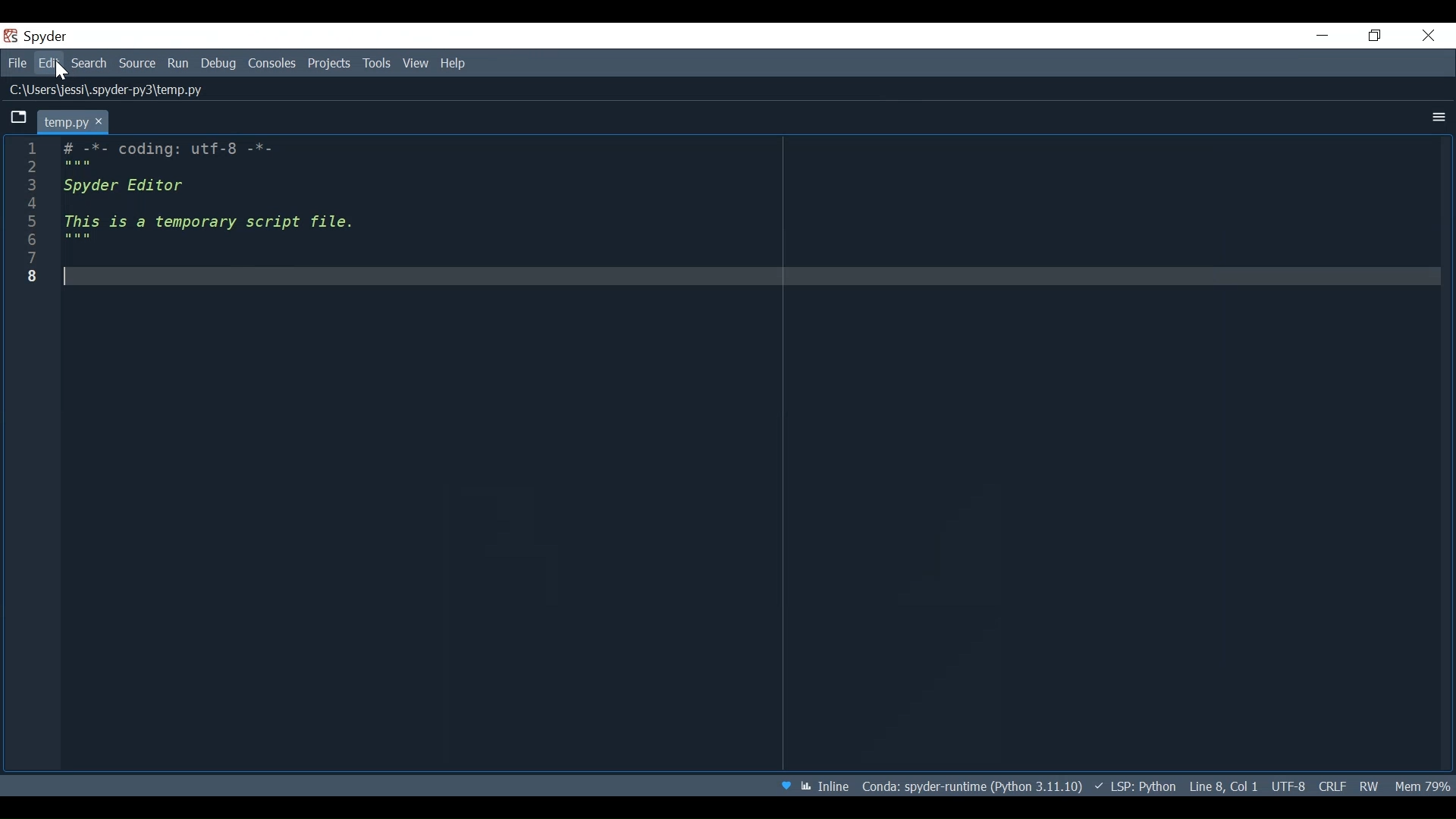  I want to click on File Encoding, so click(1289, 786).